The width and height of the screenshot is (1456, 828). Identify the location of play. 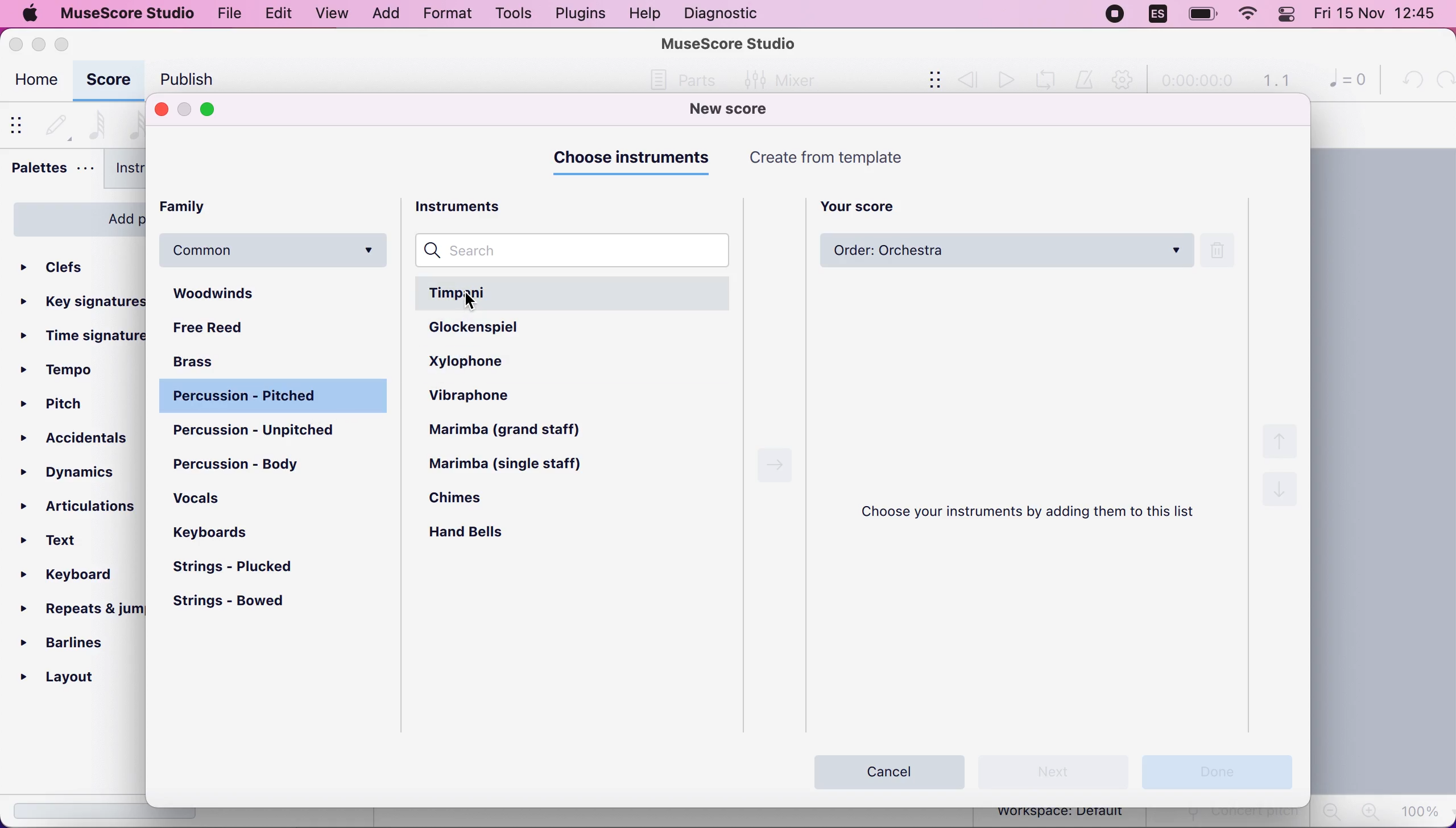
(1004, 80).